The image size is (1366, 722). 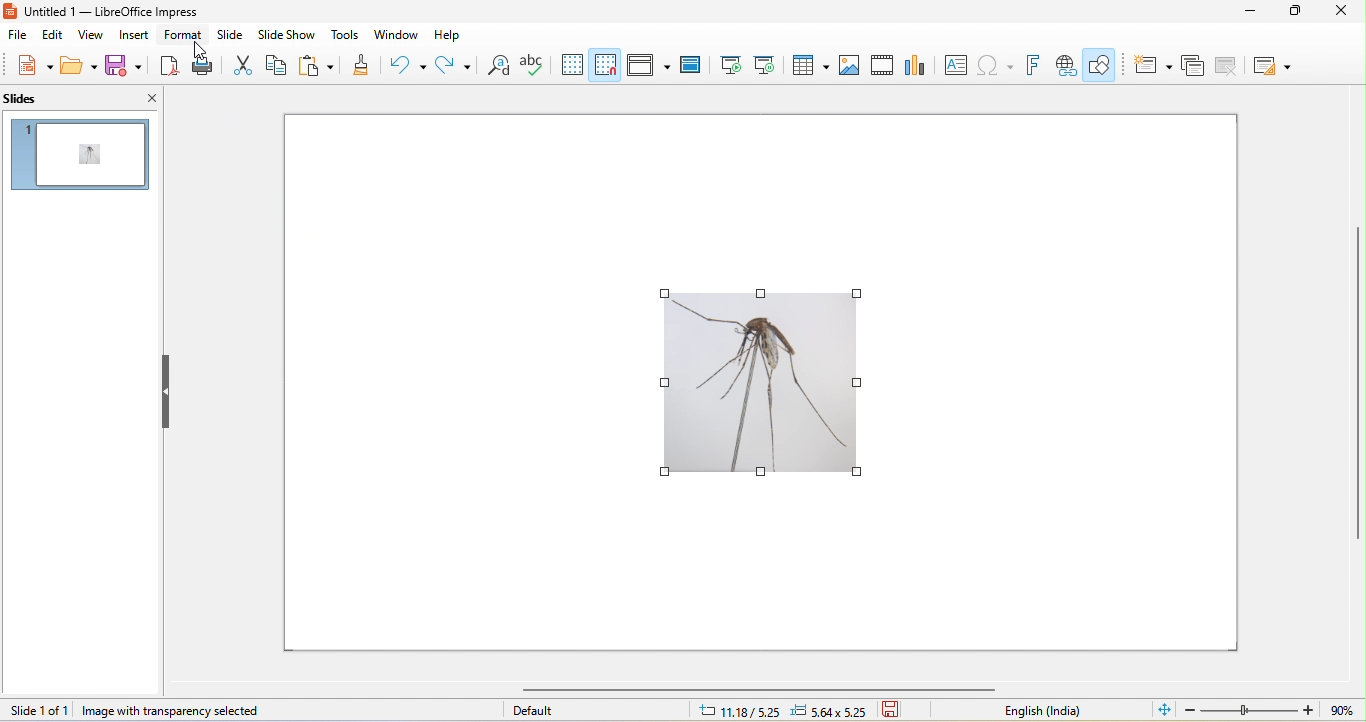 I want to click on slide 1 of 1, so click(x=38, y=710).